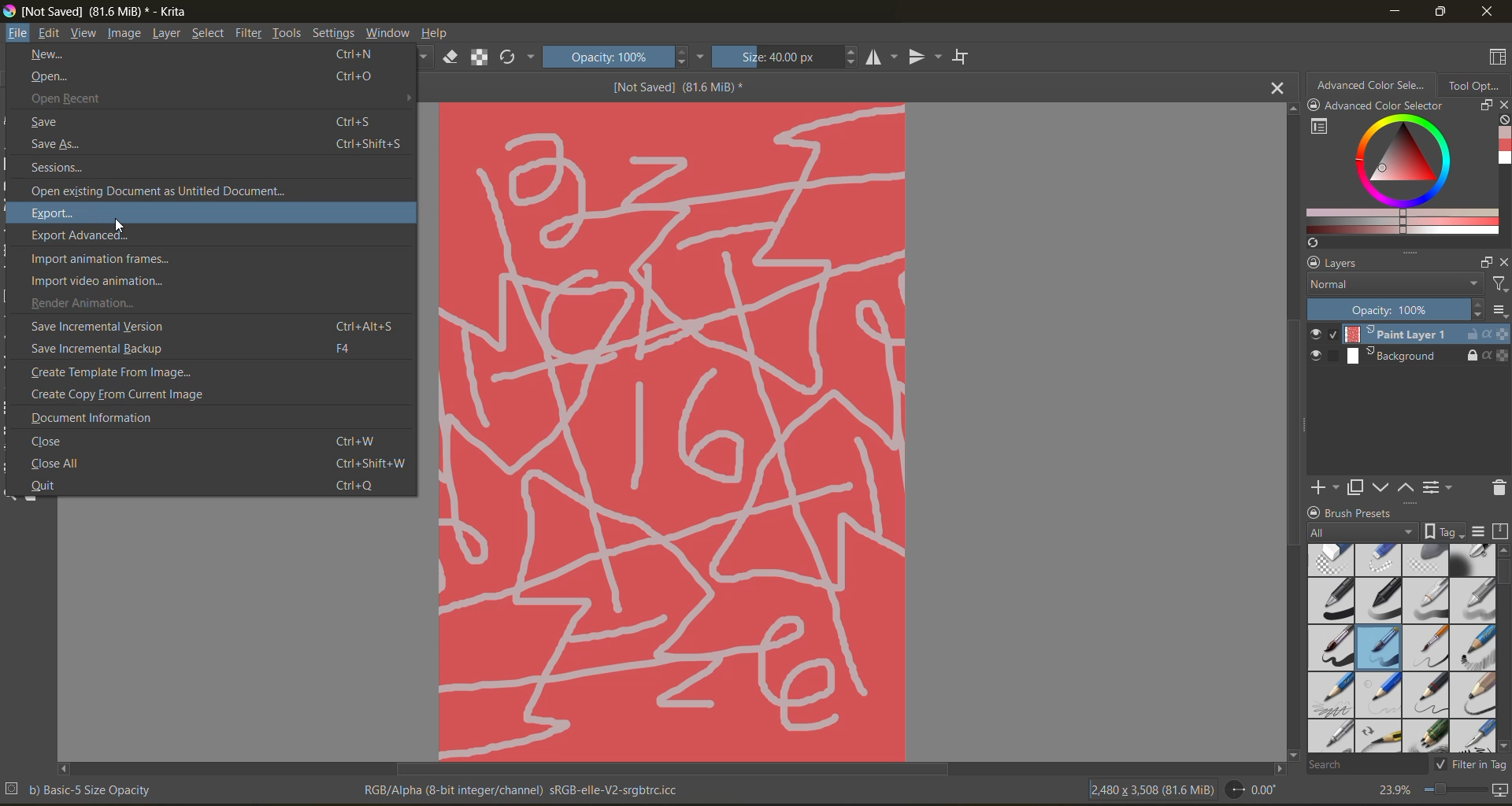  What do you see at coordinates (76, 168) in the screenshot?
I see `sessions` at bounding box center [76, 168].